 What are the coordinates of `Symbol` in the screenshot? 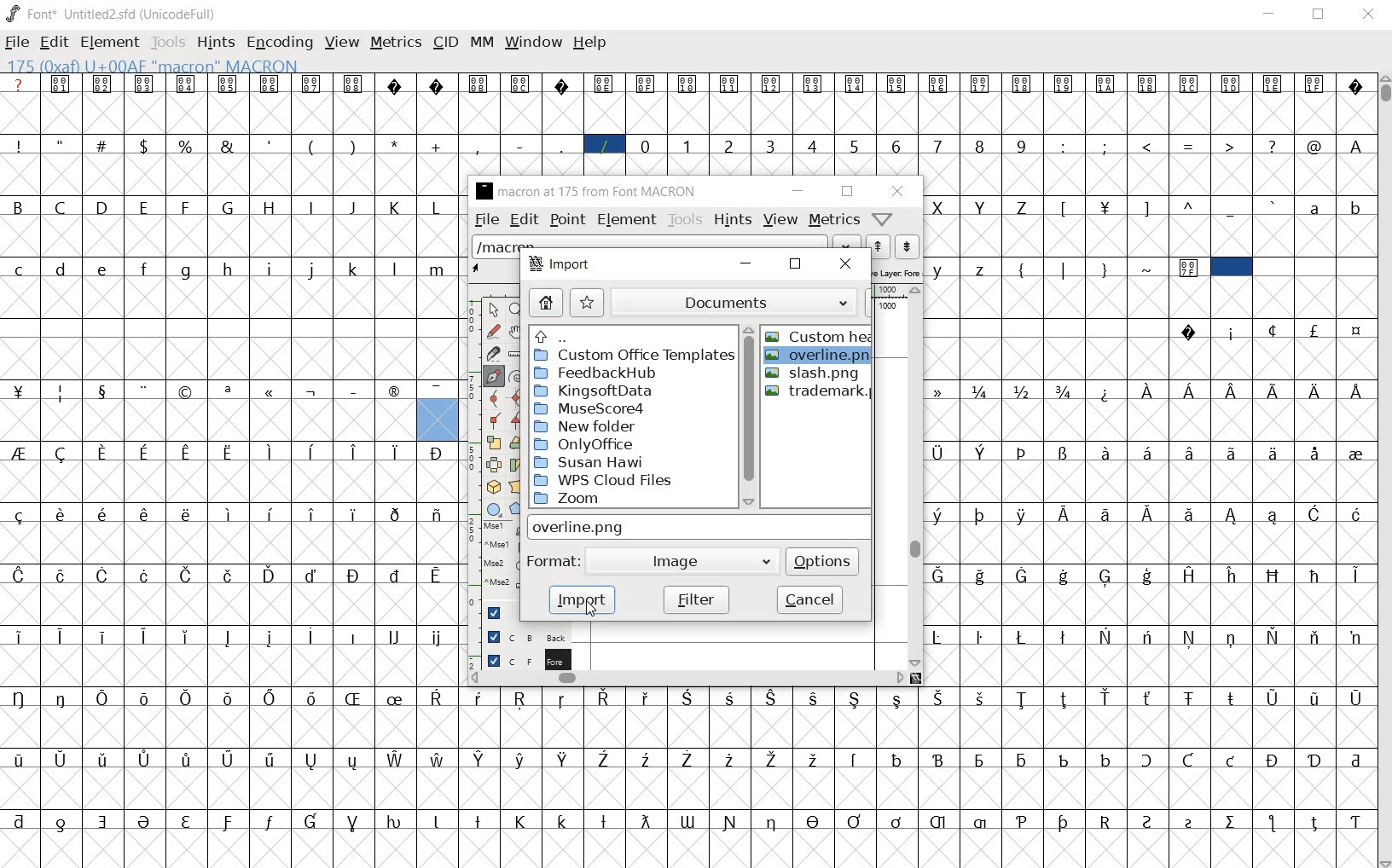 It's located at (1024, 698).